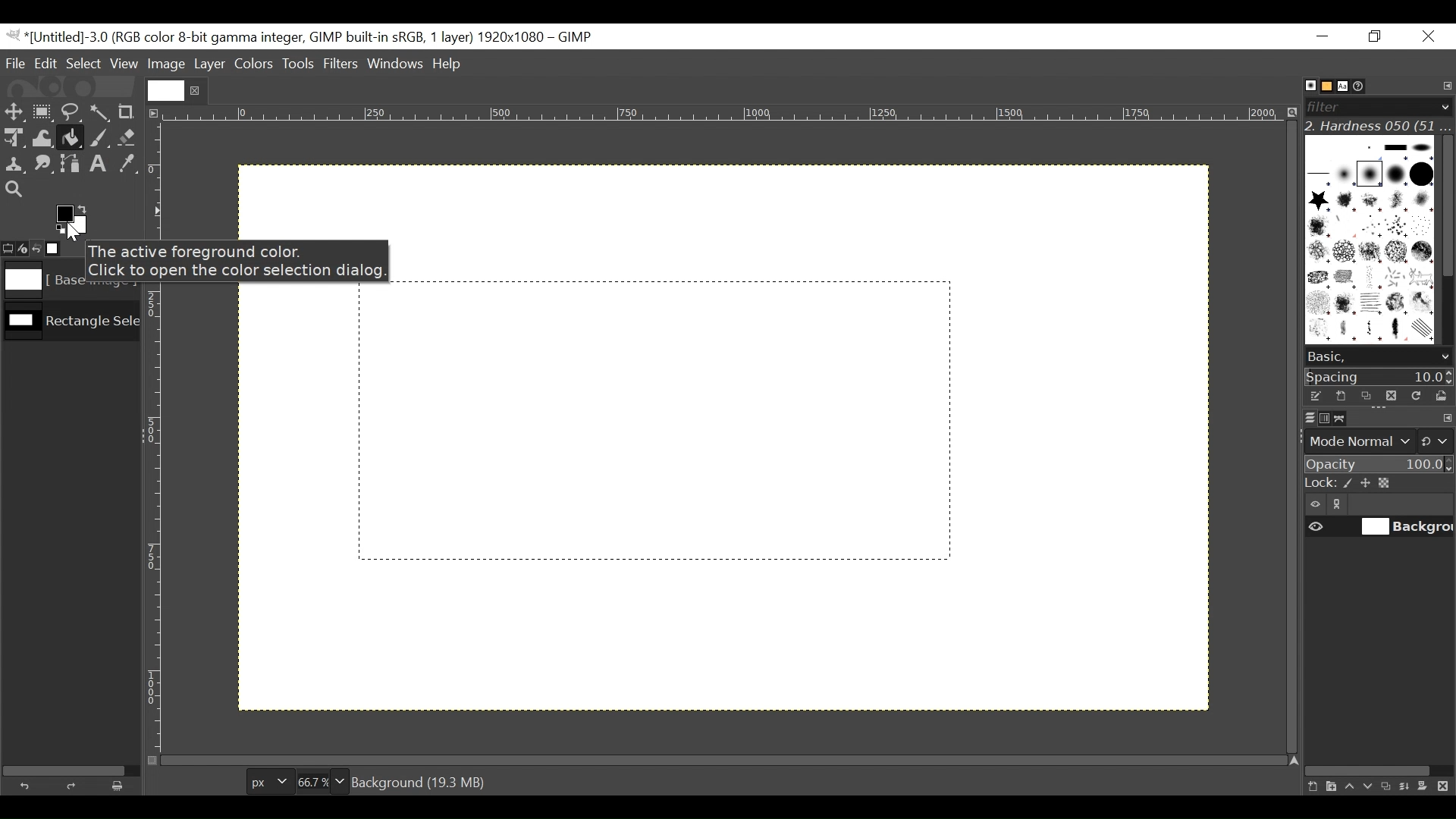  What do you see at coordinates (1323, 86) in the screenshot?
I see `Basic` at bounding box center [1323, 86].